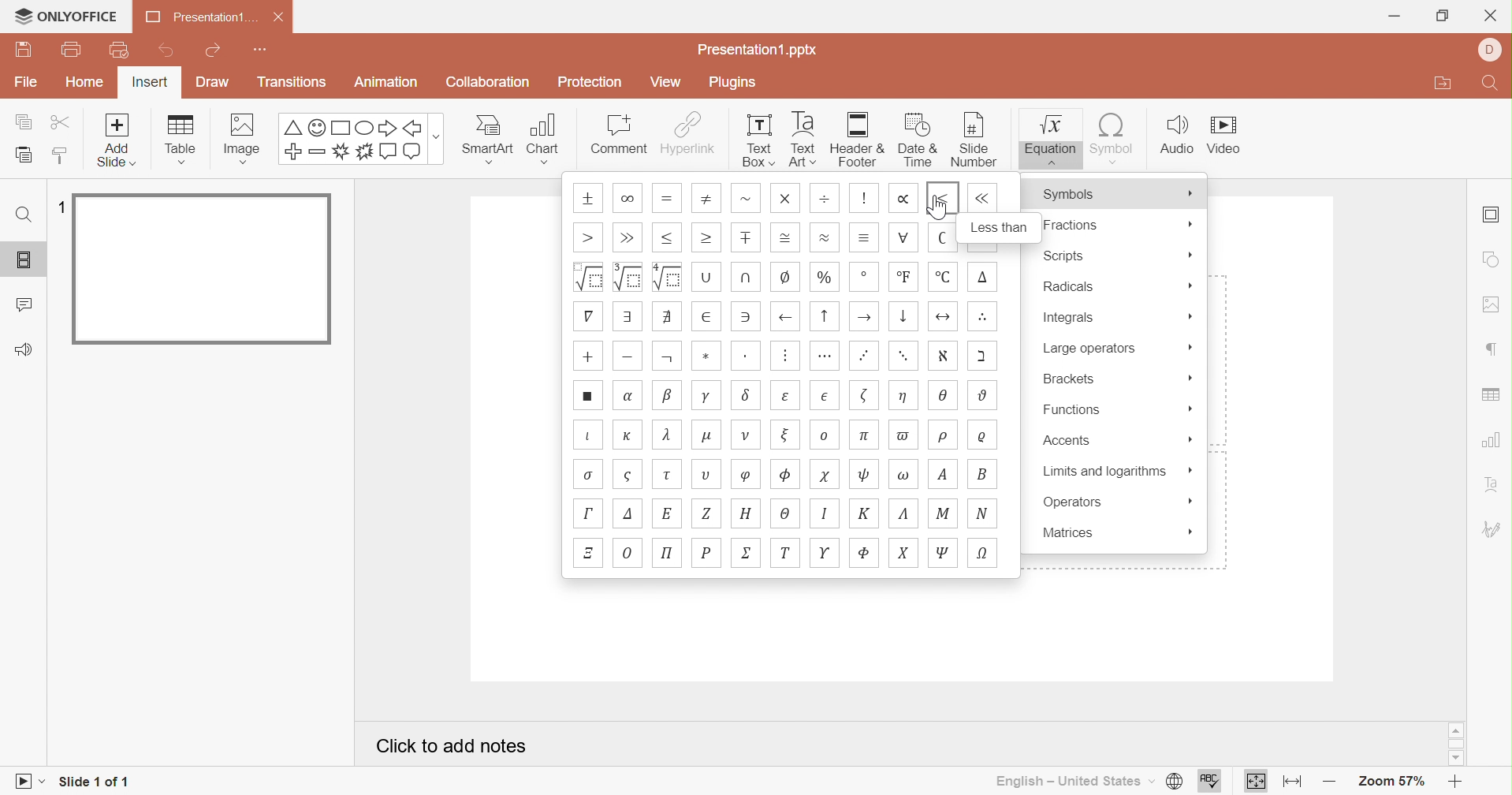 The height and width of the screenshot is (795, 1512). Describe the element at coordinates (25, 121) in the screenshot. I see `Copy` at that location.